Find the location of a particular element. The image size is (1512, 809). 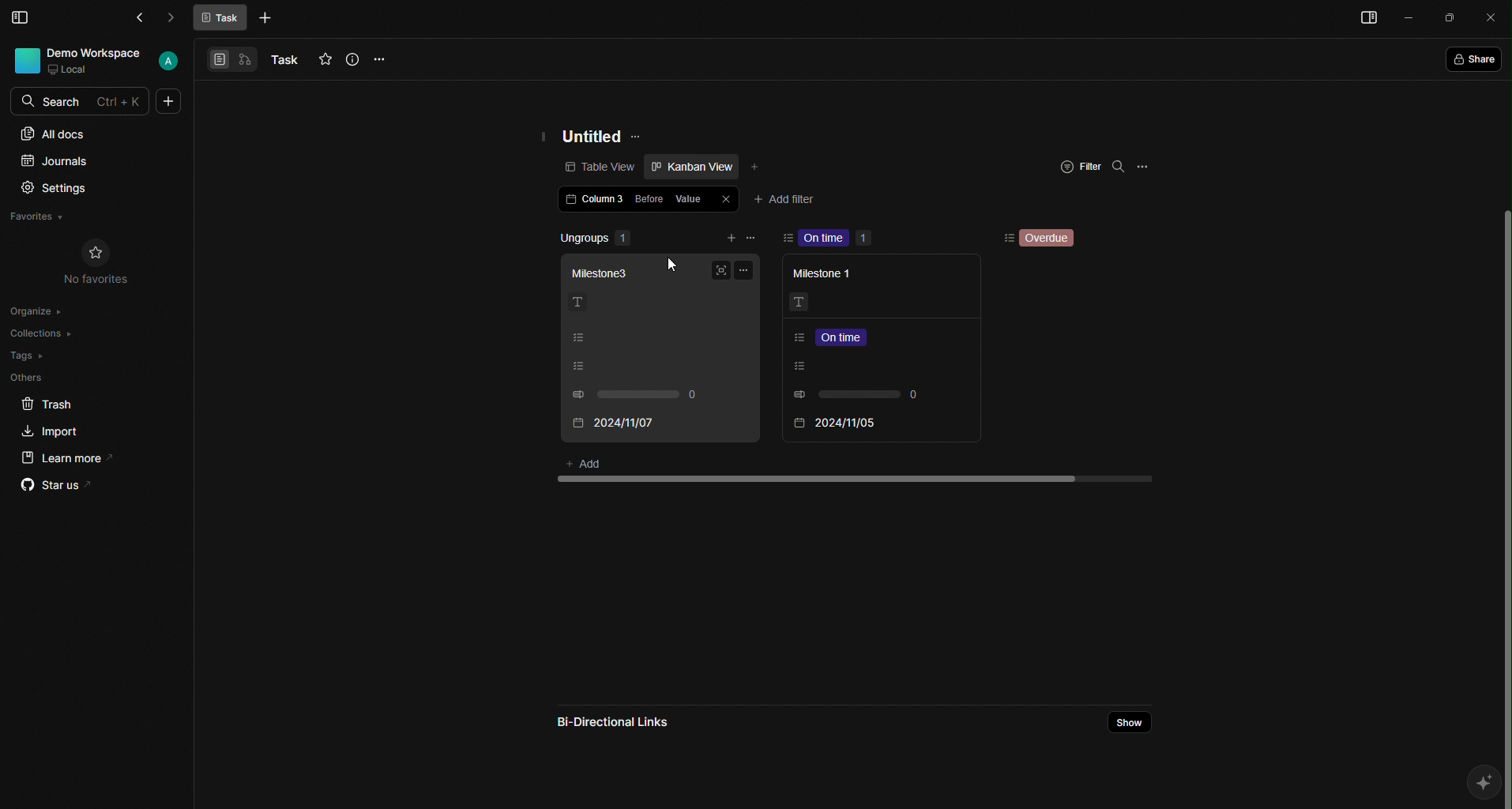

Task is located at coordinates (284, 60).